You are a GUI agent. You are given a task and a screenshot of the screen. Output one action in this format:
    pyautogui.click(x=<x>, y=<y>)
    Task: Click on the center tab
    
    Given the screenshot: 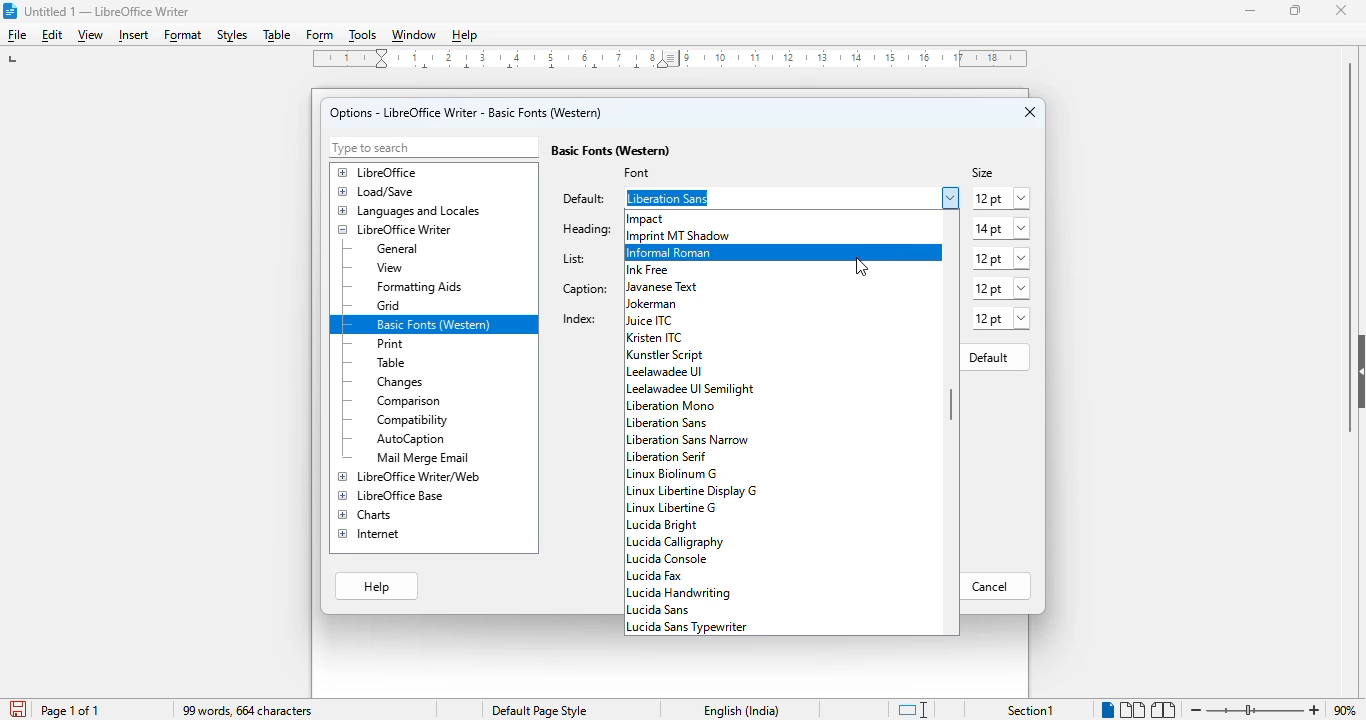 What is the action you would take?
    pyautogui.click(x=555, y=72)
    